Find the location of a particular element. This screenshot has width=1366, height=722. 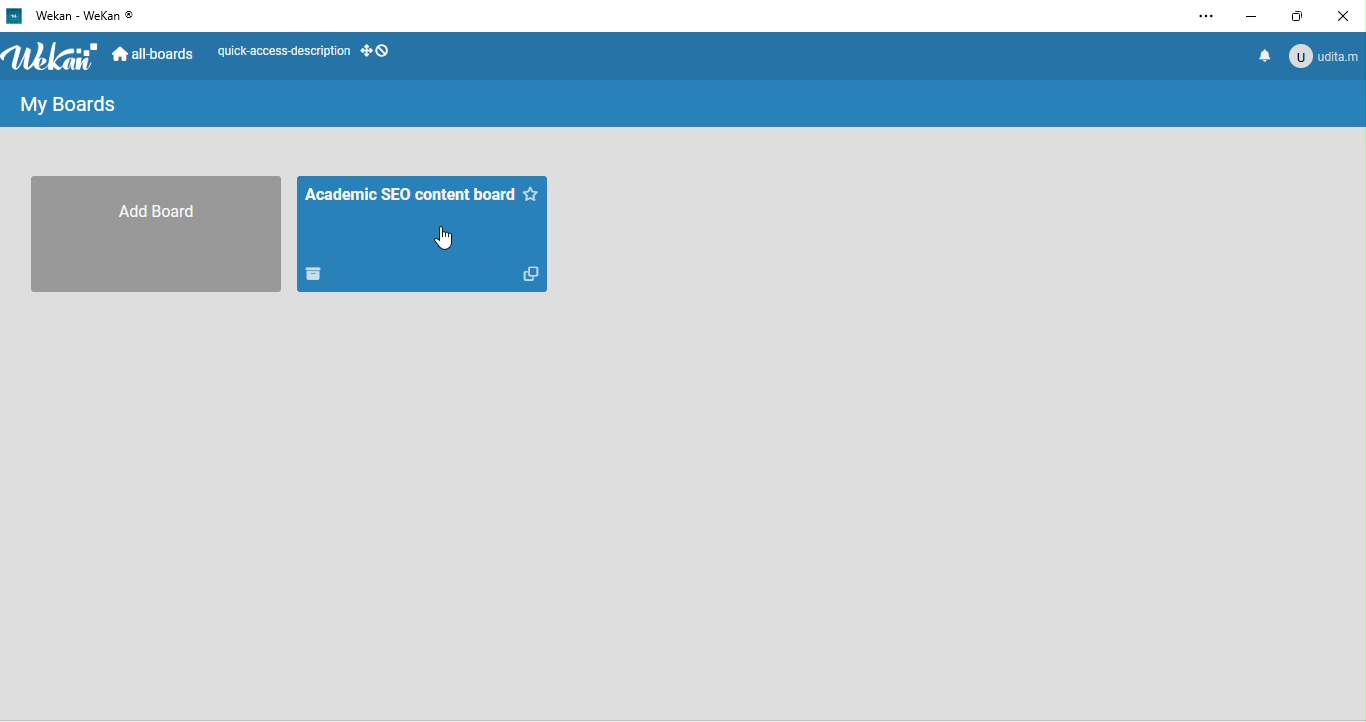

all boards is located at coordinates (155, 54).